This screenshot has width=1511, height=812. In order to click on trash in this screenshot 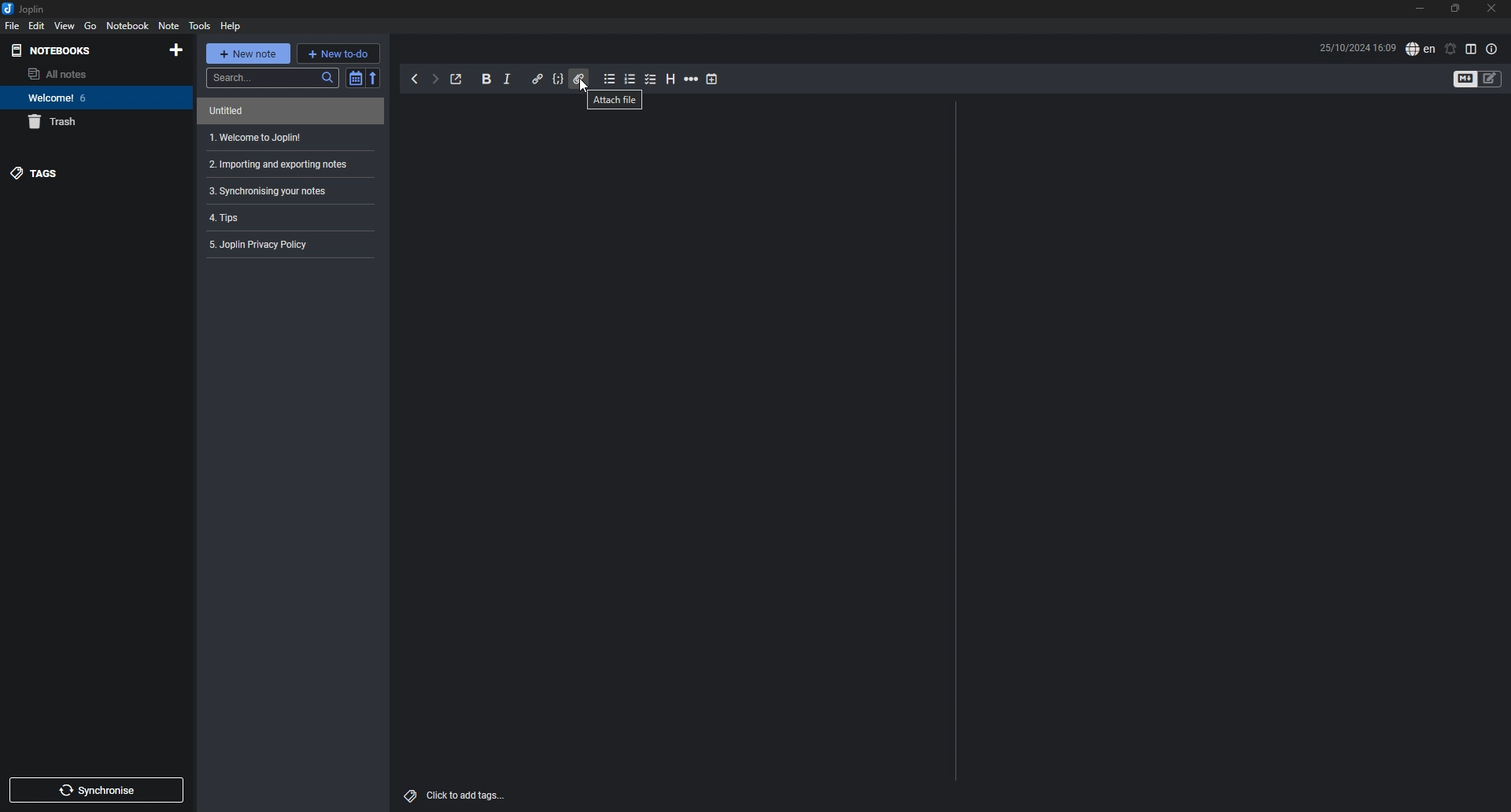, I will do `click(90, 123)`.